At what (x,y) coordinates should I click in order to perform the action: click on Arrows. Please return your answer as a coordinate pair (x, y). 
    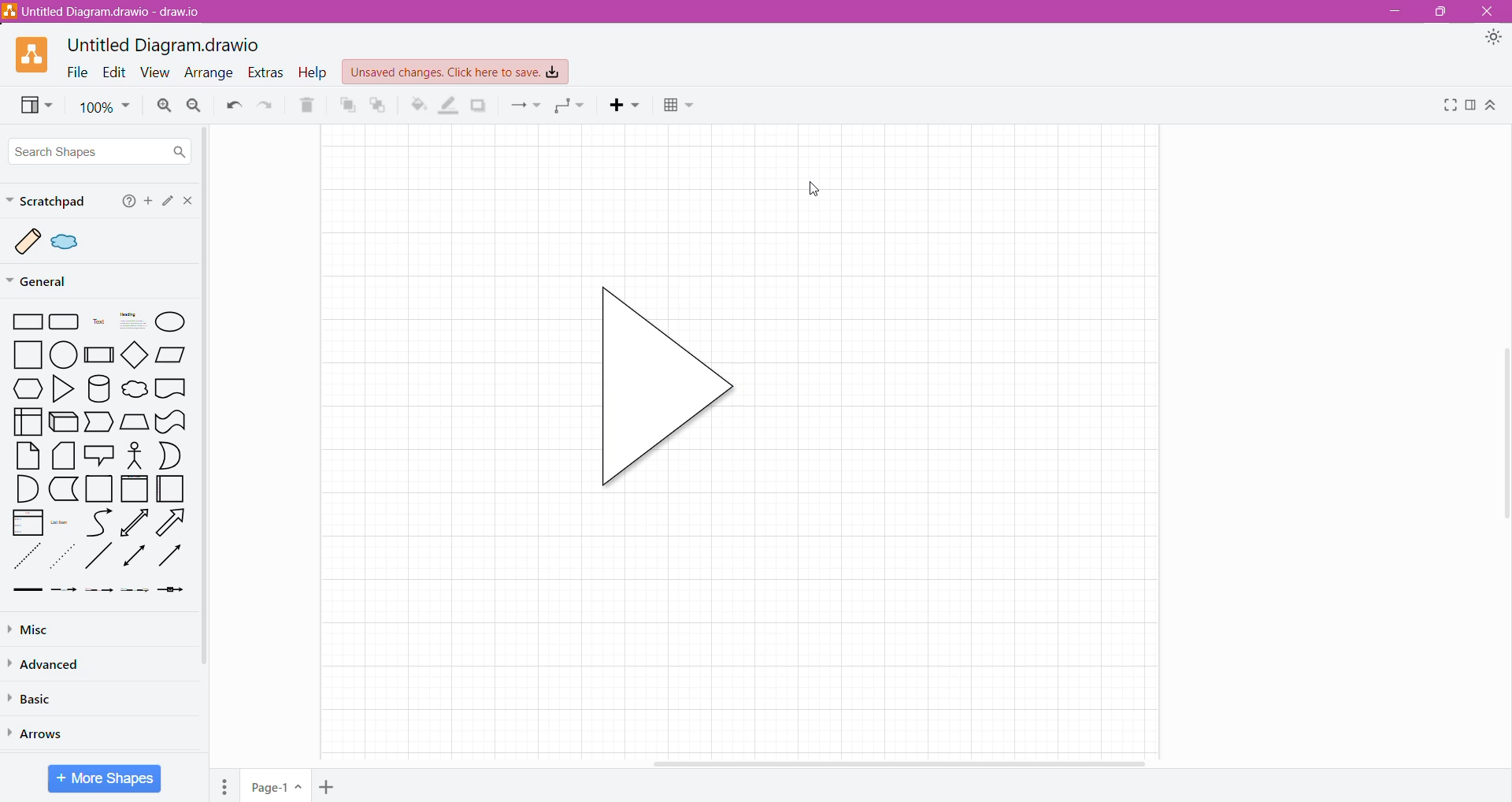
    Looking at the image, I should click on (53, 734).